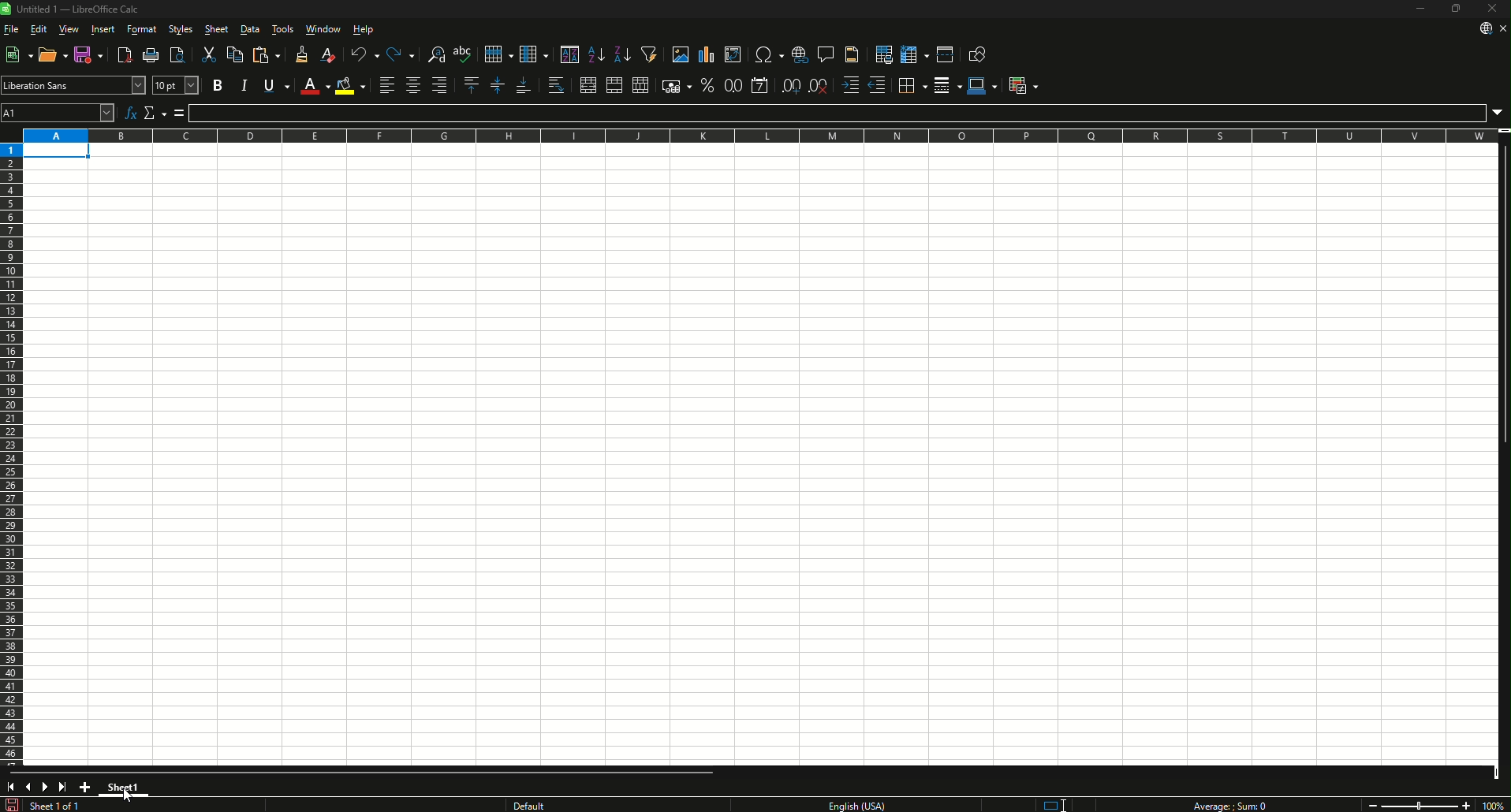 The width and height of the screenshot is (1511, 812). I want to click on Border Color, so click(983, 86).